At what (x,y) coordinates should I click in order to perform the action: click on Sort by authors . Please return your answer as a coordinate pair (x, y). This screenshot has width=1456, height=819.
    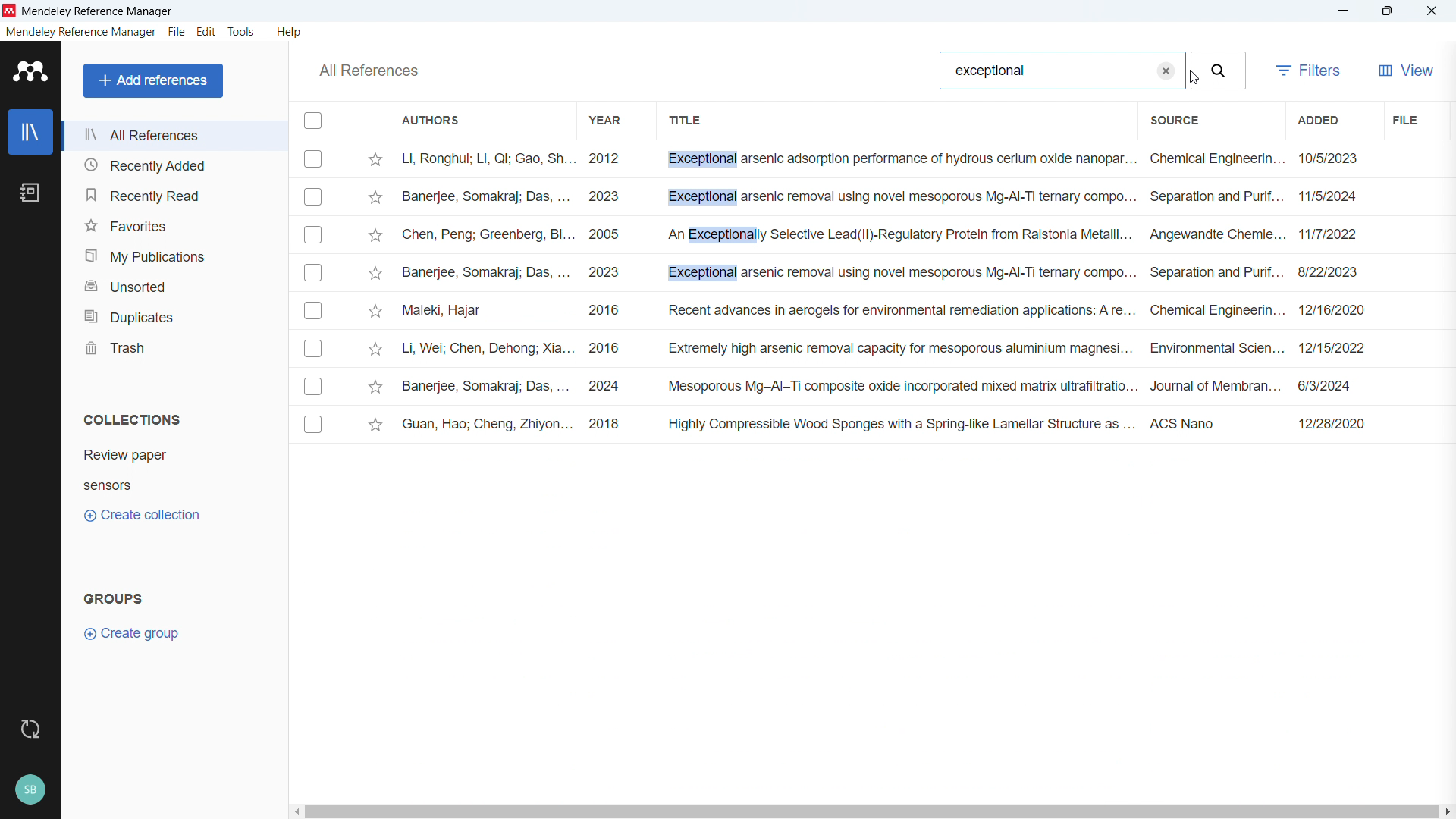
    Looking at the image, I should click on (432, 119).